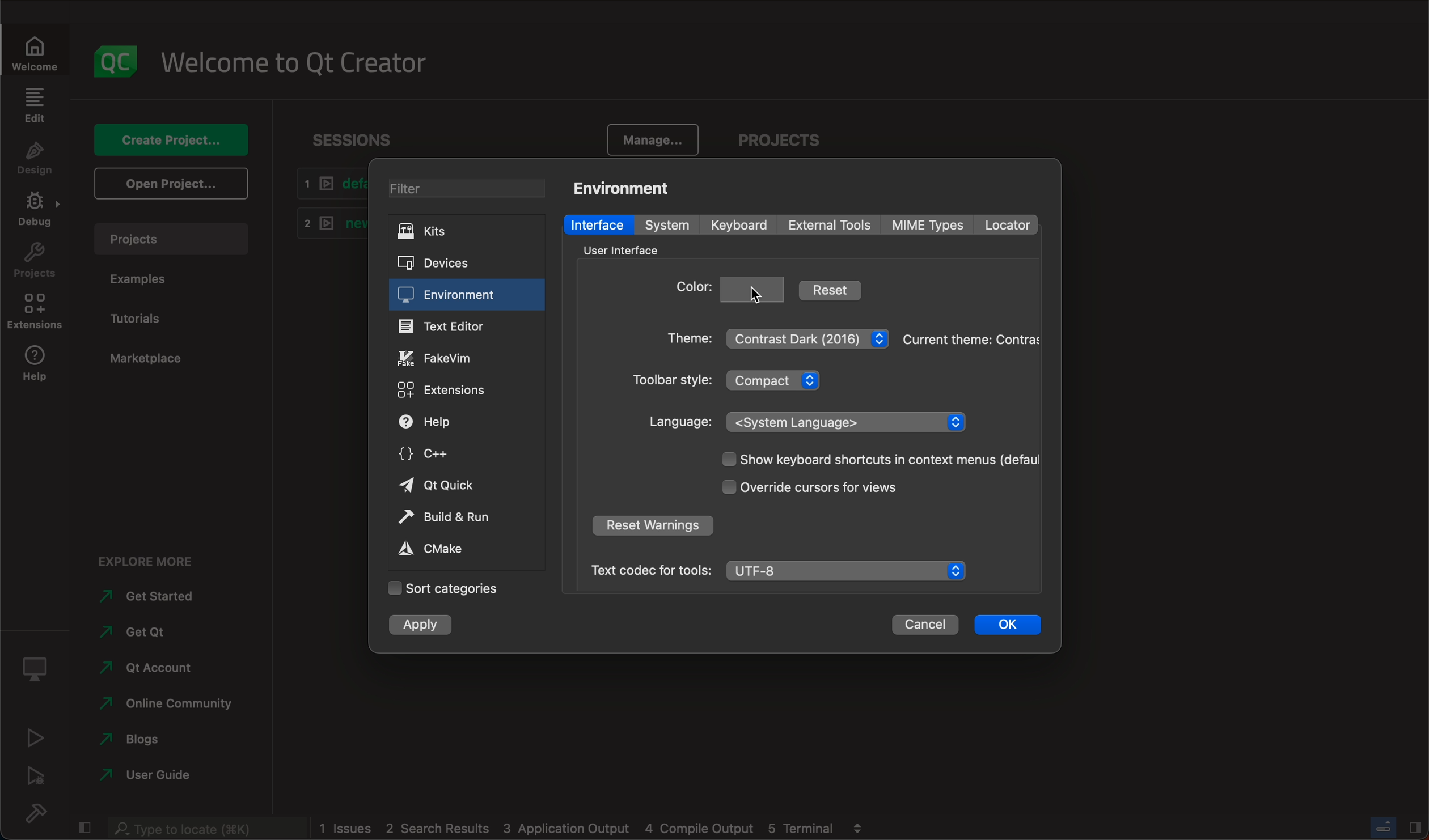 Image resolution: width=1429 pixels, height=840 pixels. I want to click on run debug, so click(38, 775).